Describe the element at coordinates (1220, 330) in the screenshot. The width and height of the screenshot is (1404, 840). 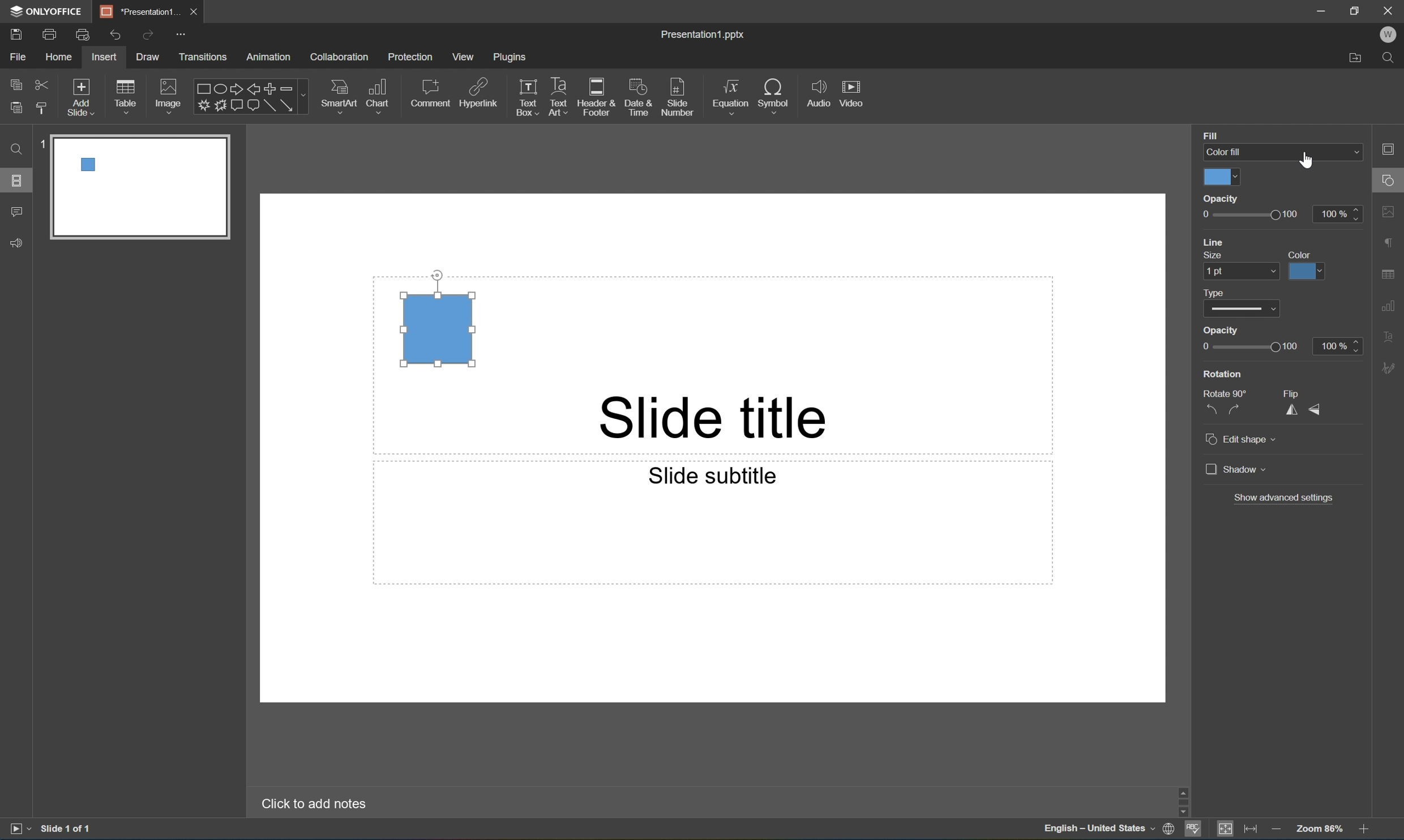
I see `Opacity` at that location.